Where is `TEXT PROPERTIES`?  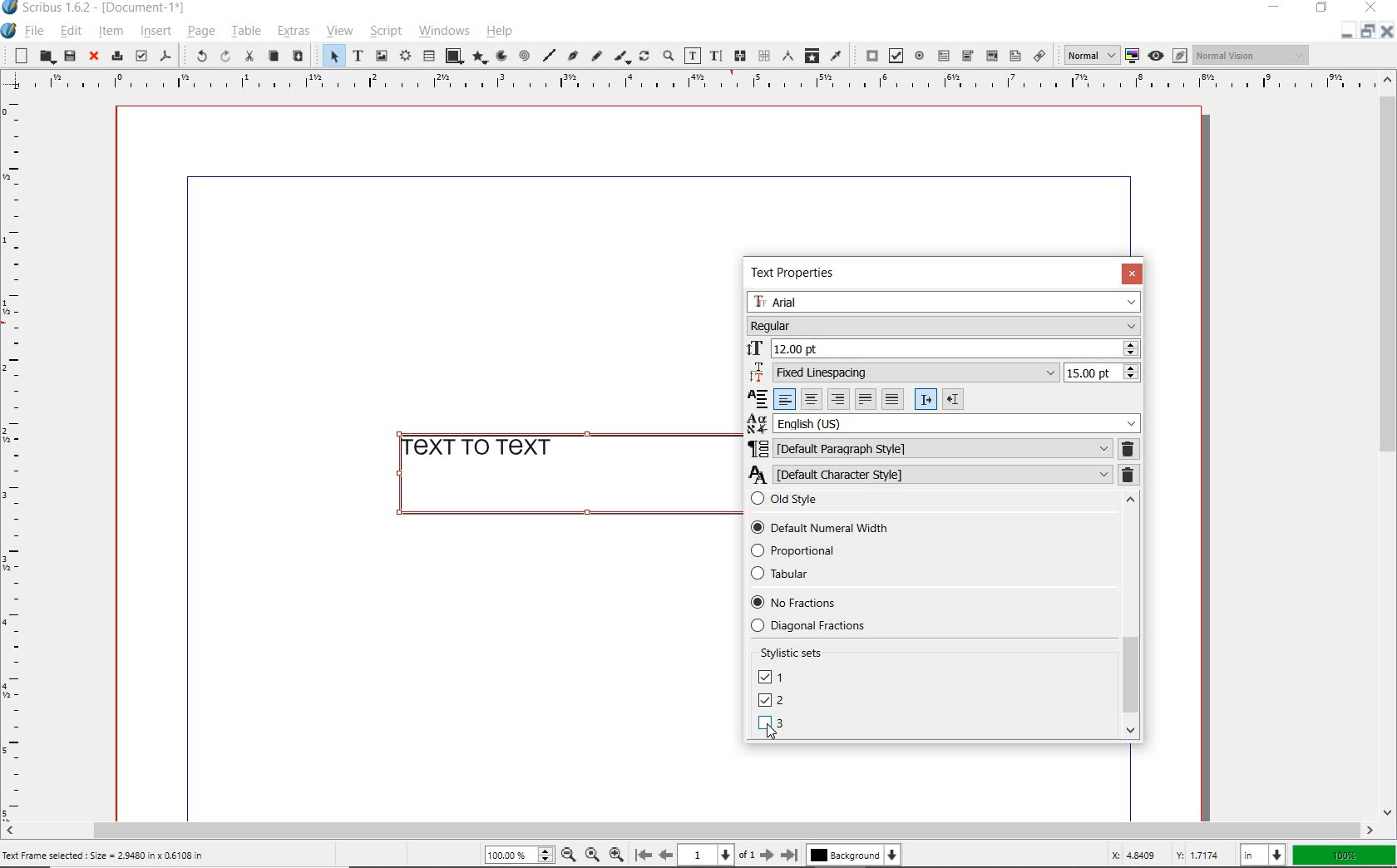 TEXT PROPERTIES is located at coordinates (799, 273).